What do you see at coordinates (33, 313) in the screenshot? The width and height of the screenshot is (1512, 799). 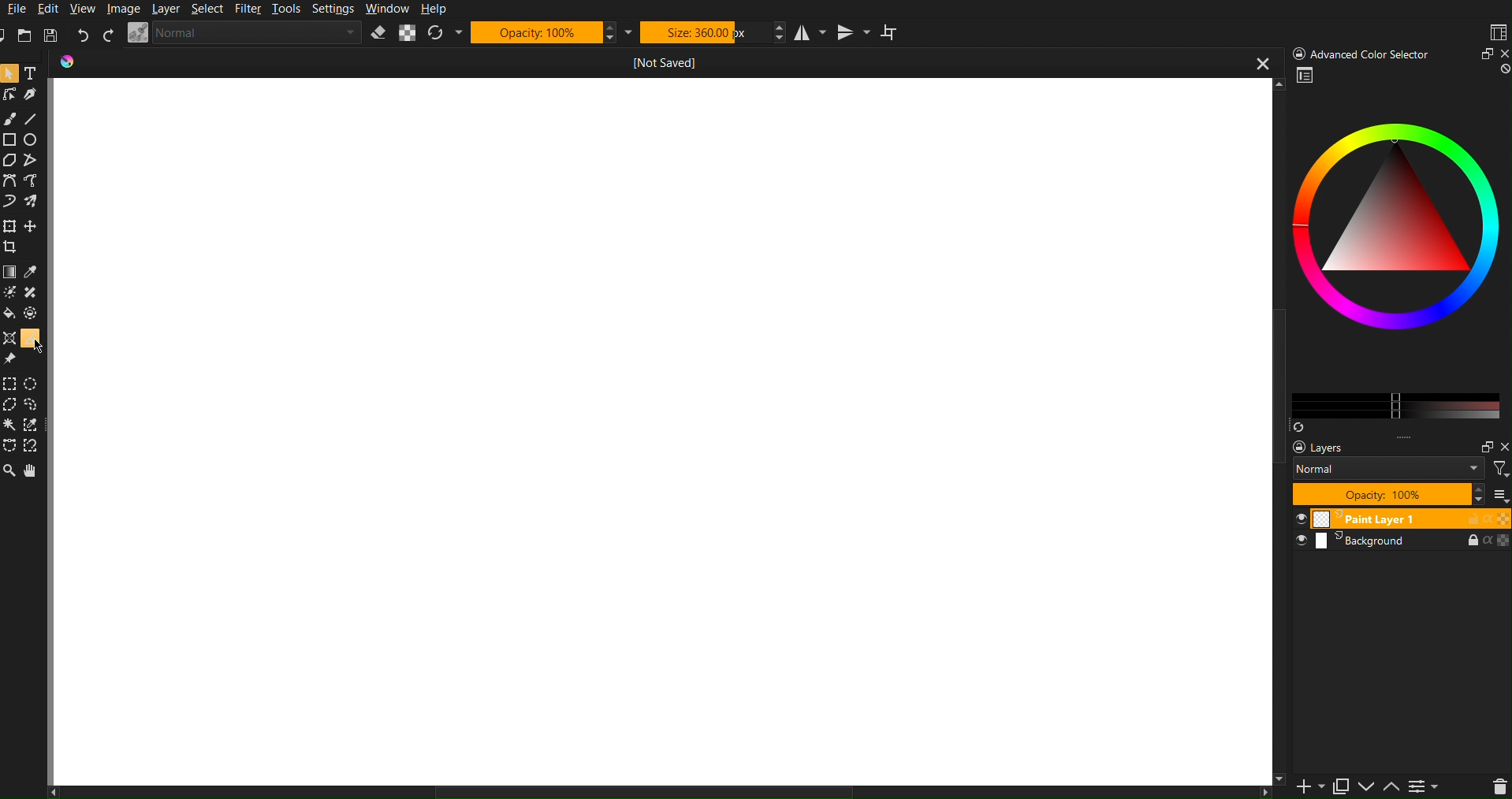 I see `Color Pallete` at bounding box center [33, 313].